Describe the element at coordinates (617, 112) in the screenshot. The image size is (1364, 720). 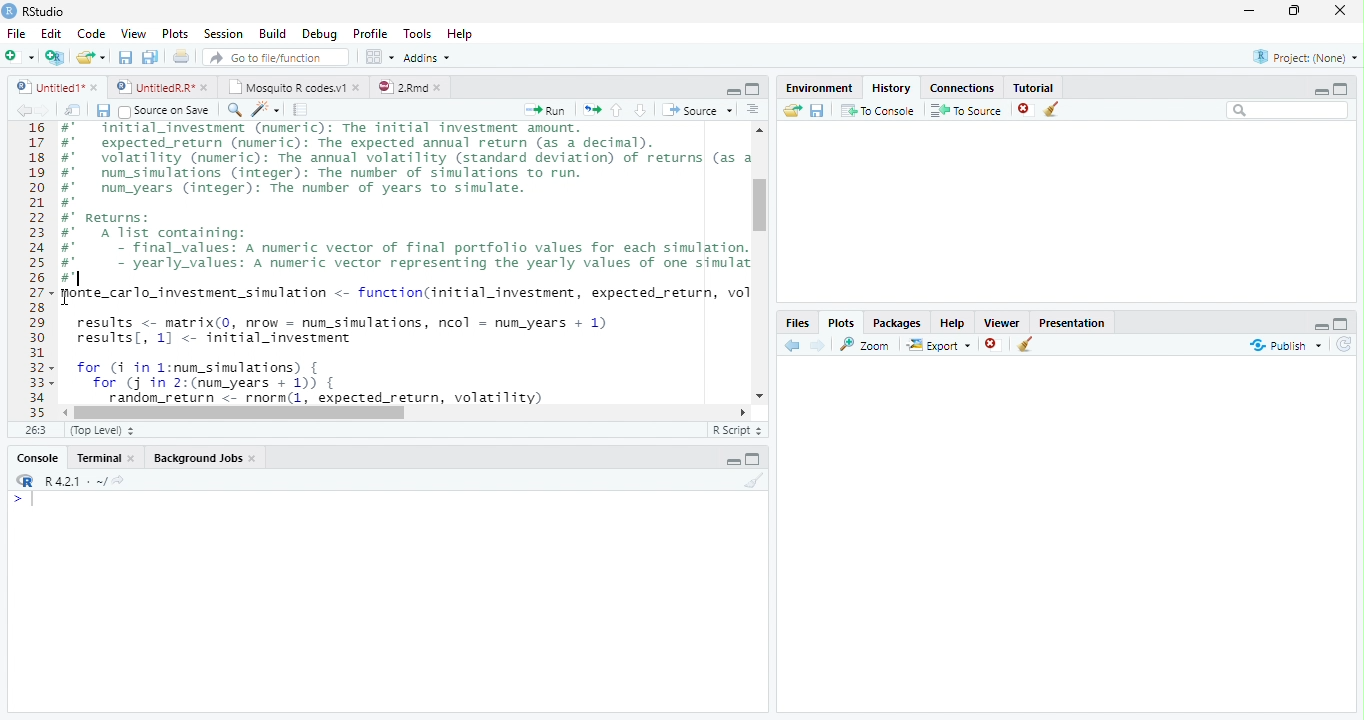
I see `Go to previous section of code` at that location.